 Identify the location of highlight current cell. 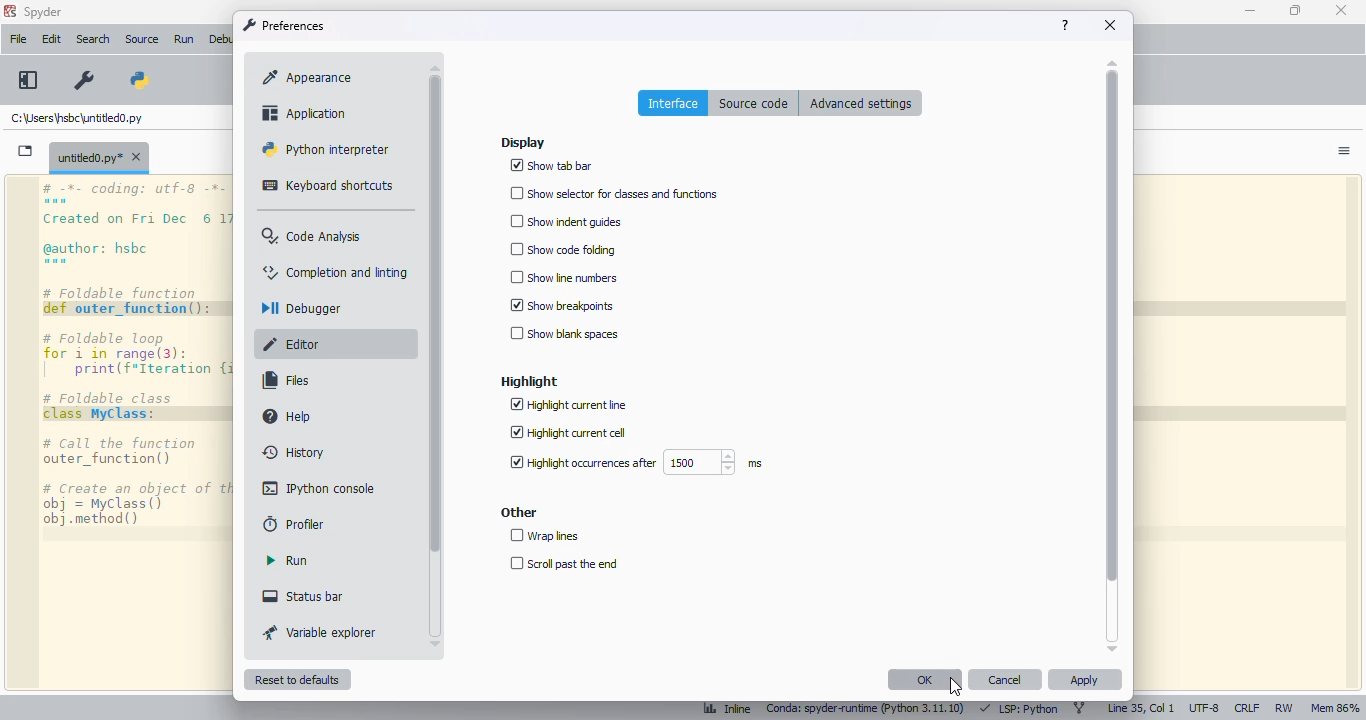
(567, 433).